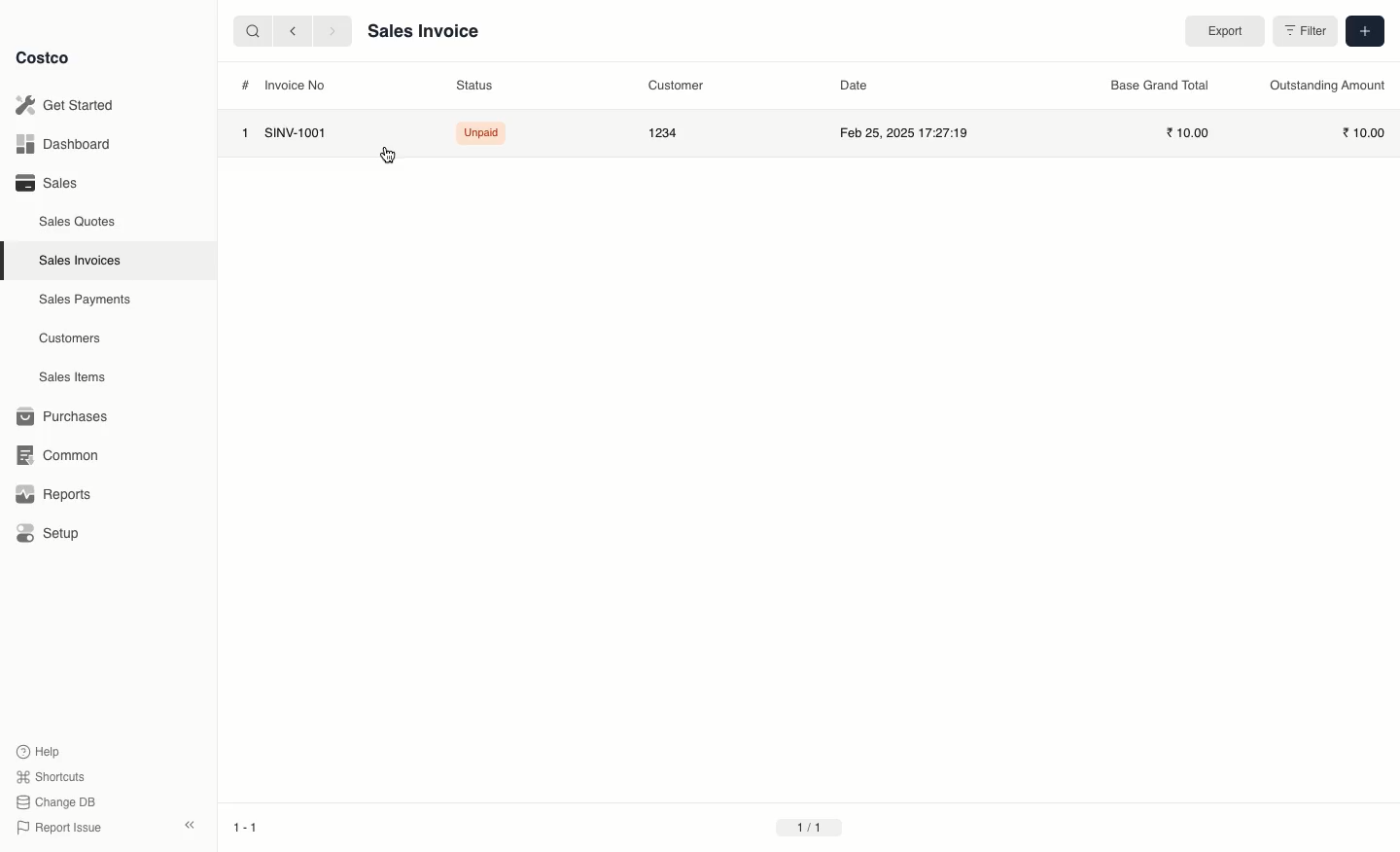 This screenshot has width=1400, height=852. Describe the element at coordinates (61, 828) in the screenshot. I see `Report Issue` at that location.